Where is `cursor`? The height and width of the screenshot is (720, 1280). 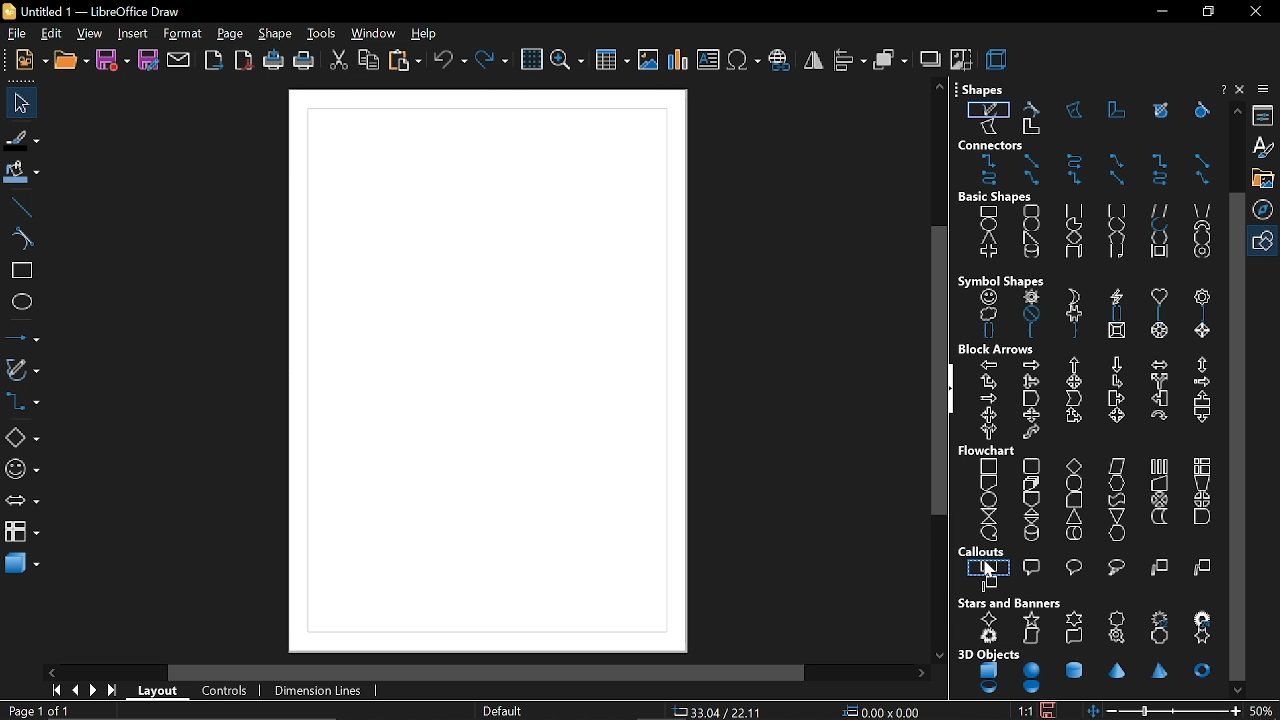
cursor is located at coordinates (989, 571).